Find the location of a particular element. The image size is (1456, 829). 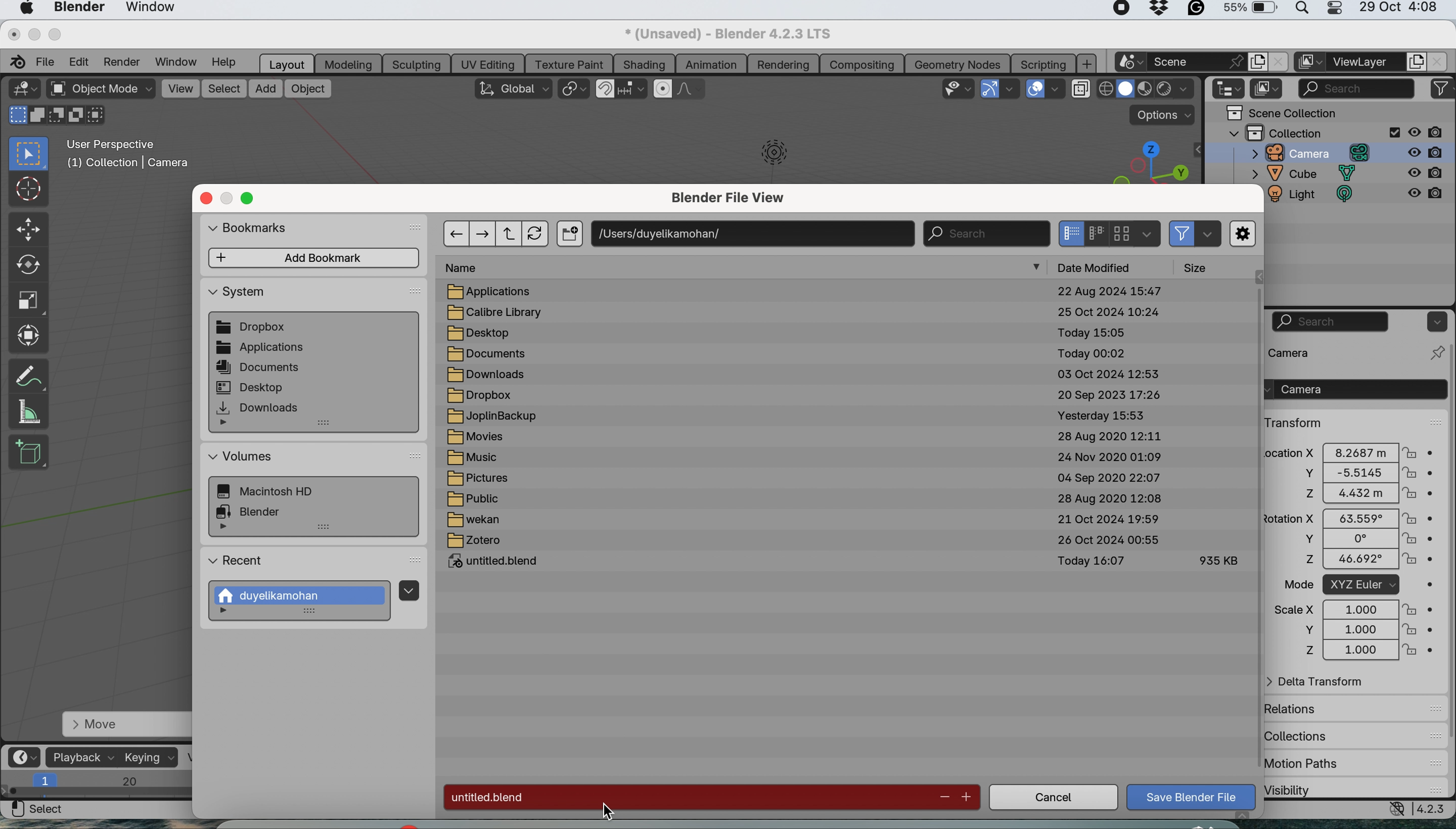

y -5.5145 is located at coordinates (1355, 474).